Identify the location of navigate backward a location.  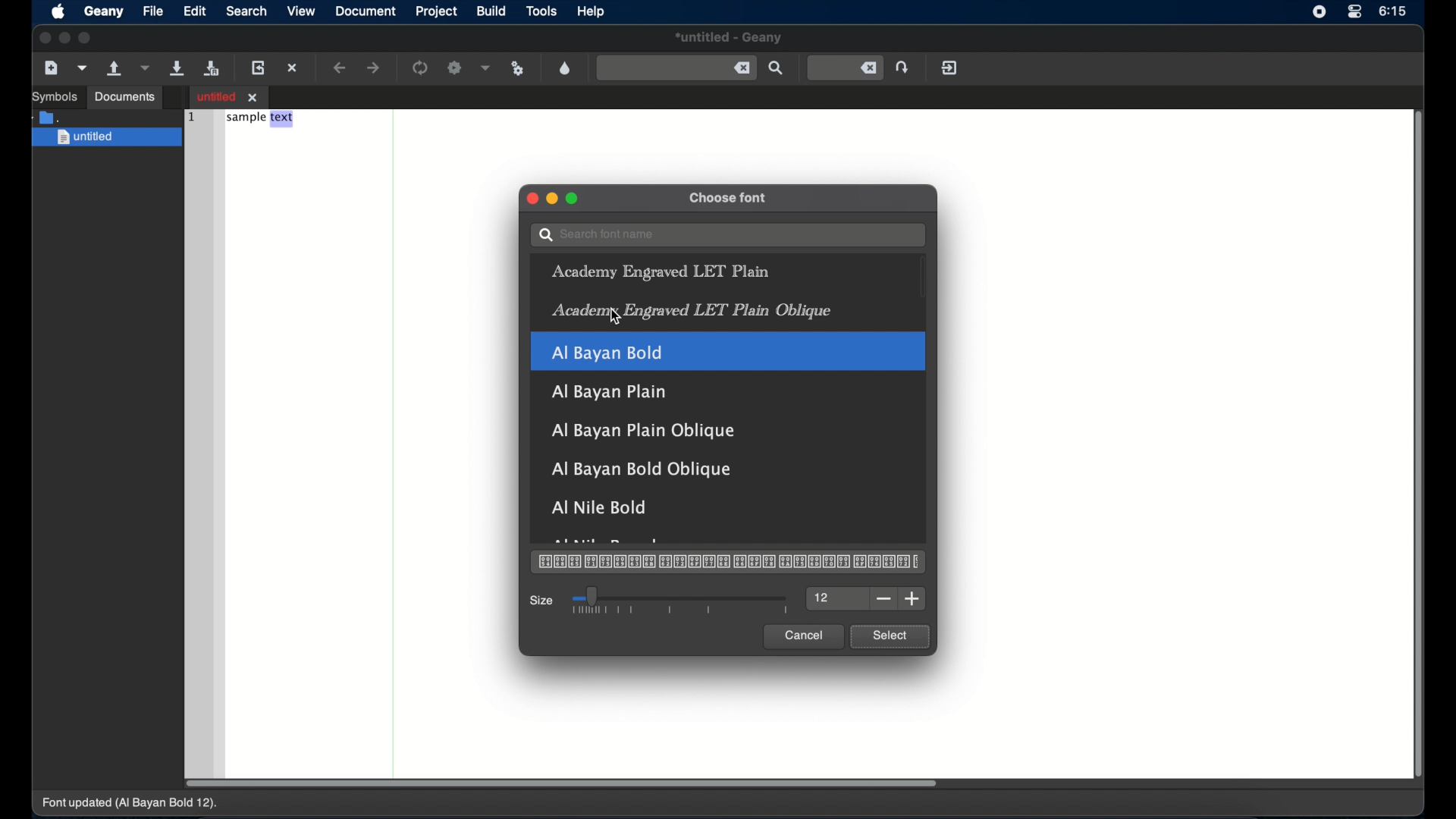
(340, 68).